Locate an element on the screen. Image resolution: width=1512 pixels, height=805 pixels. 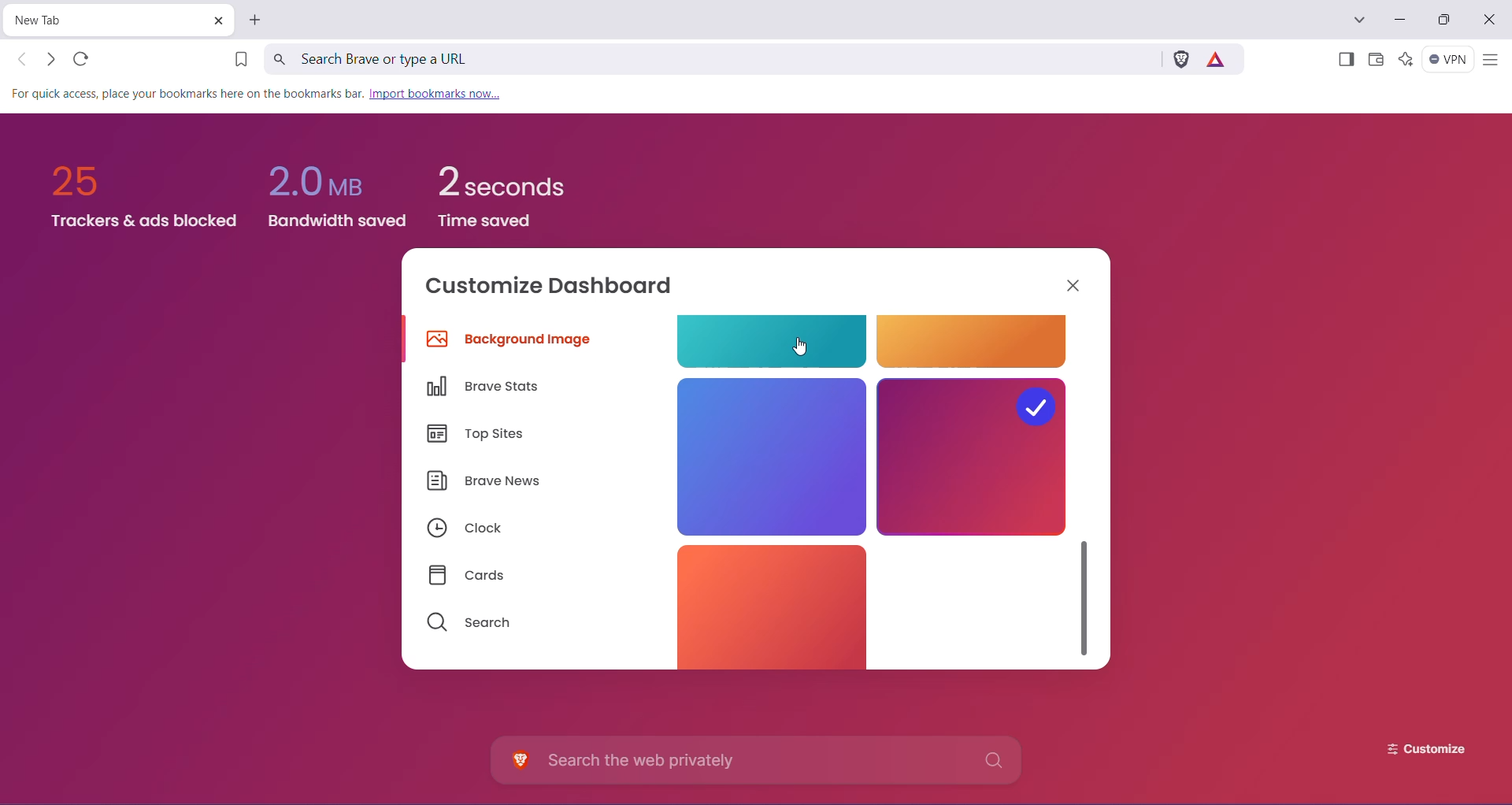
2 seconds Time saved is located at coordinates (513, 185).